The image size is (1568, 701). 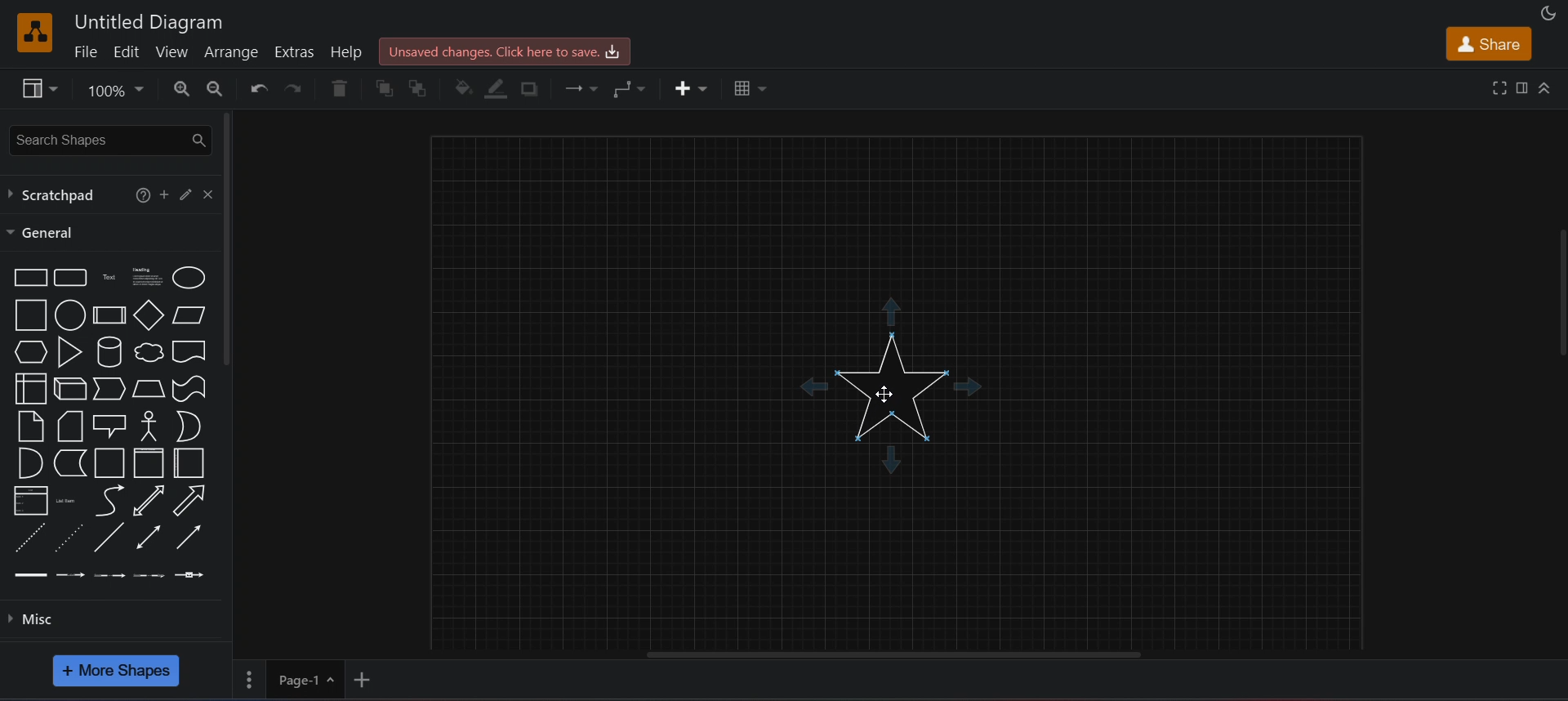 I want to click on zoom in, so click(x=175, y=90).